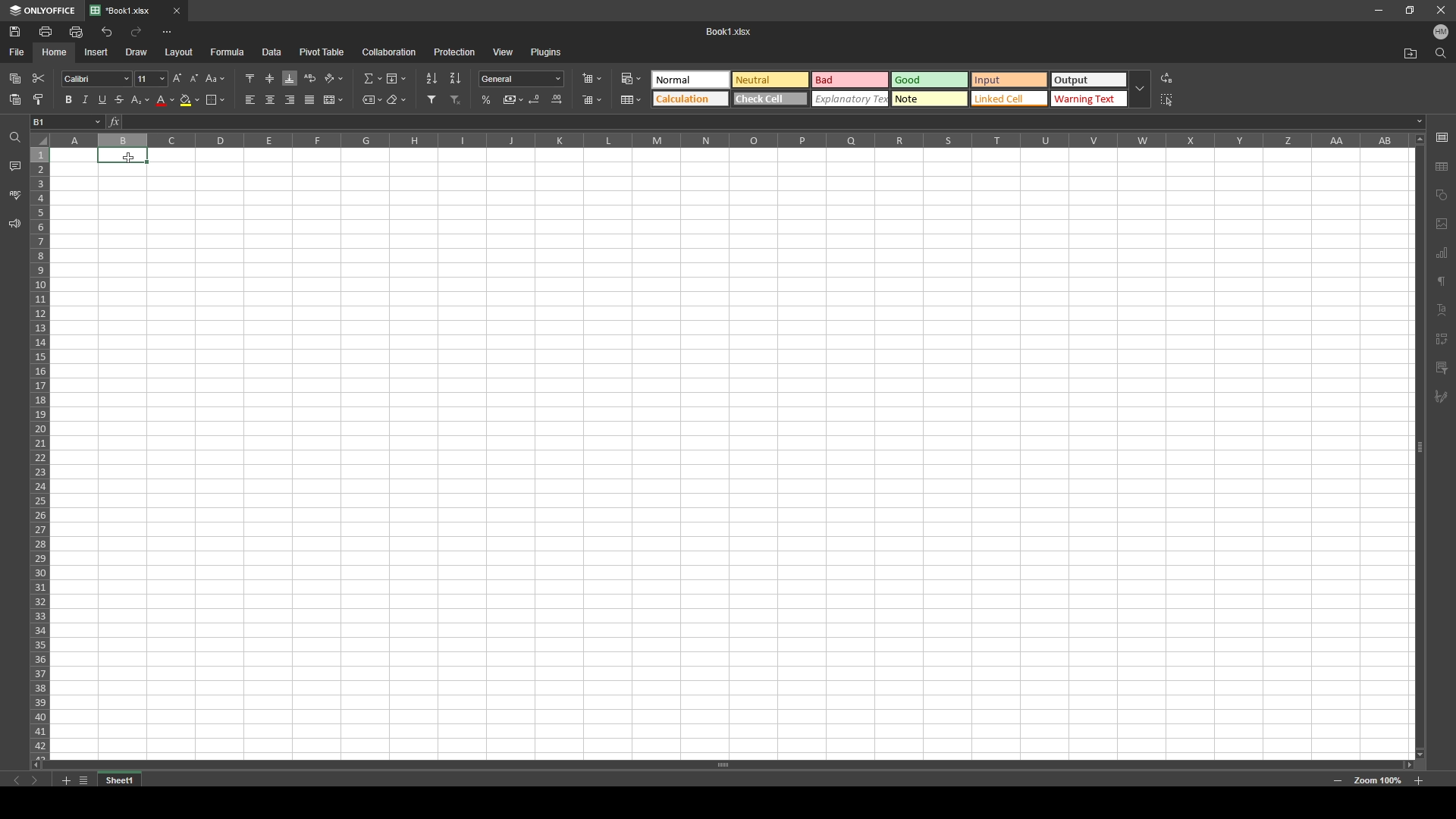  What do you see at coordinates (513, 99) in the screenshot?
I see `comma style` at bounding box center [513, 99].